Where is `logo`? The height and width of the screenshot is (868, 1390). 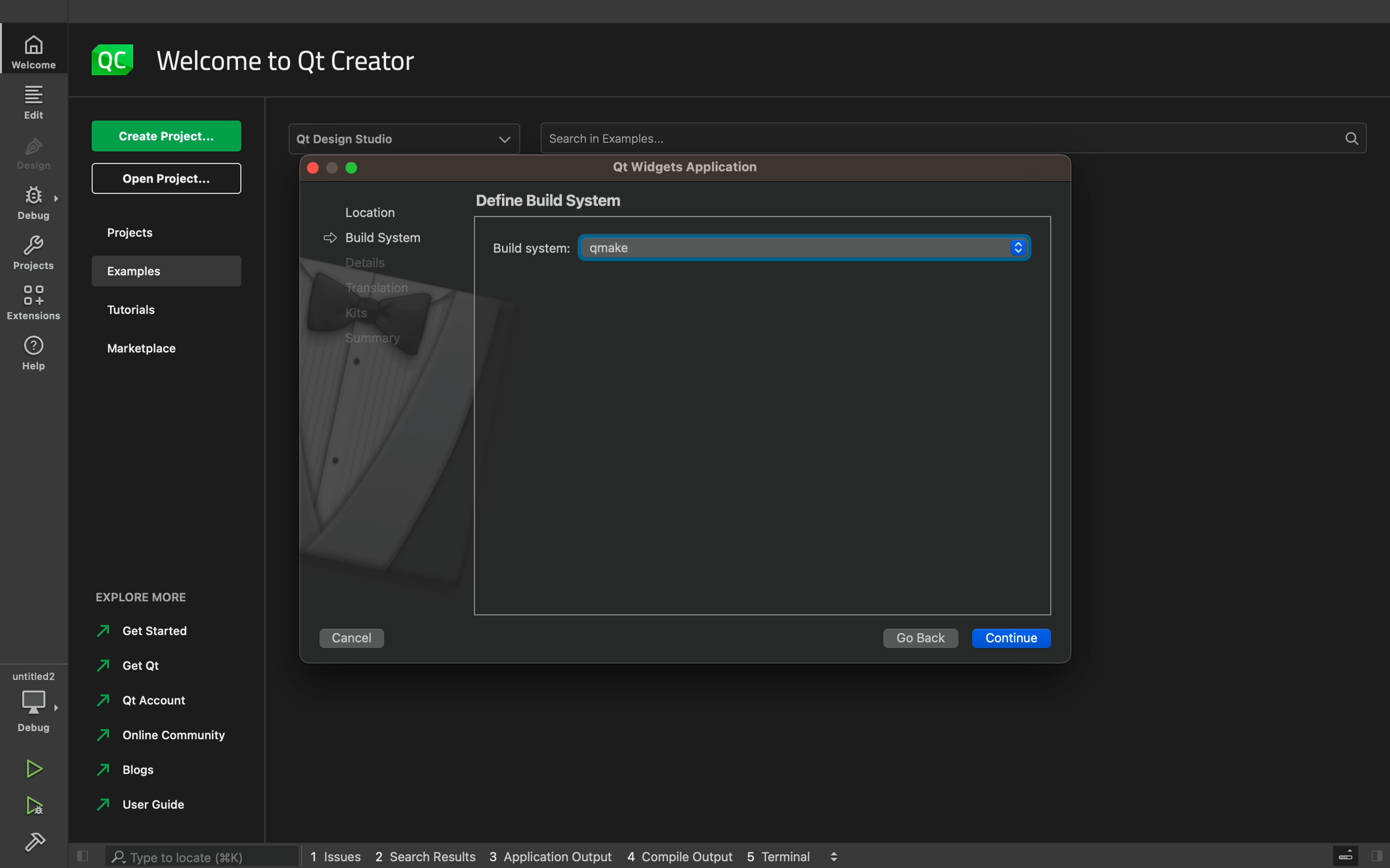
logo is located at coordinates (115, 58).